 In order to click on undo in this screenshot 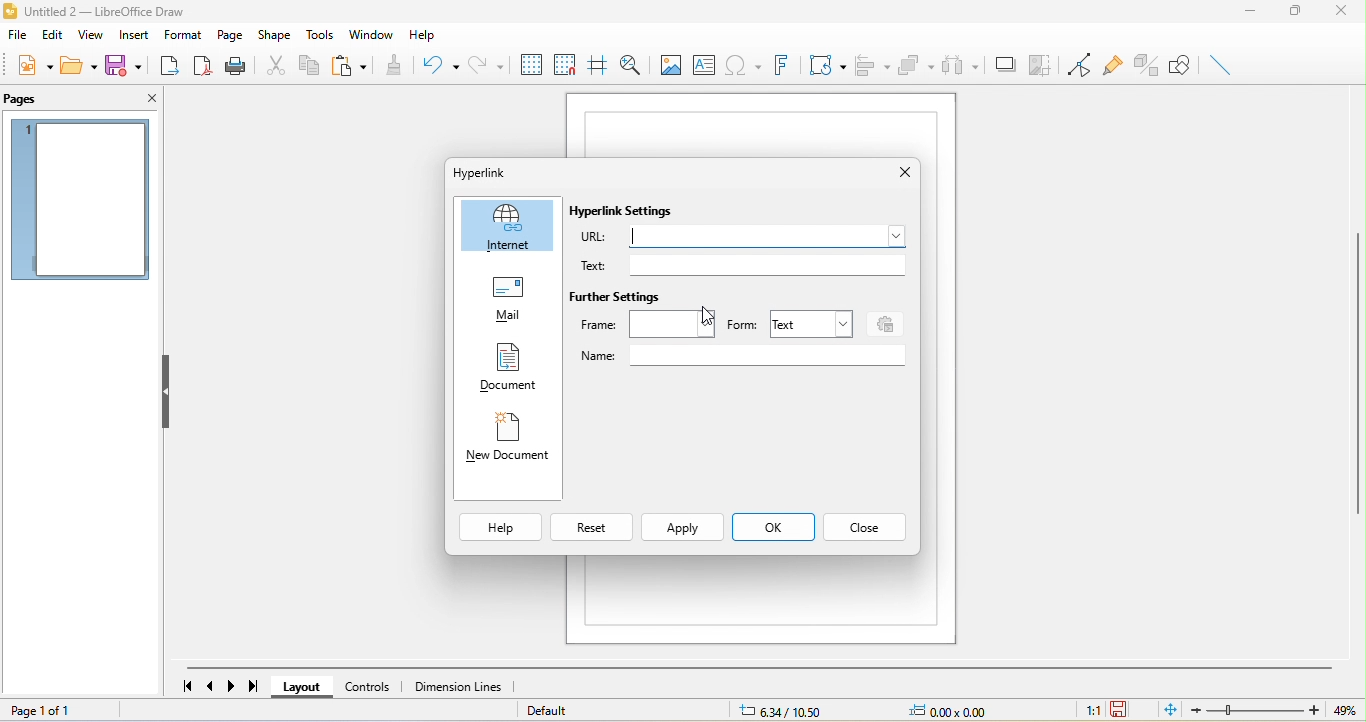, I will do `click(437, 63)`.